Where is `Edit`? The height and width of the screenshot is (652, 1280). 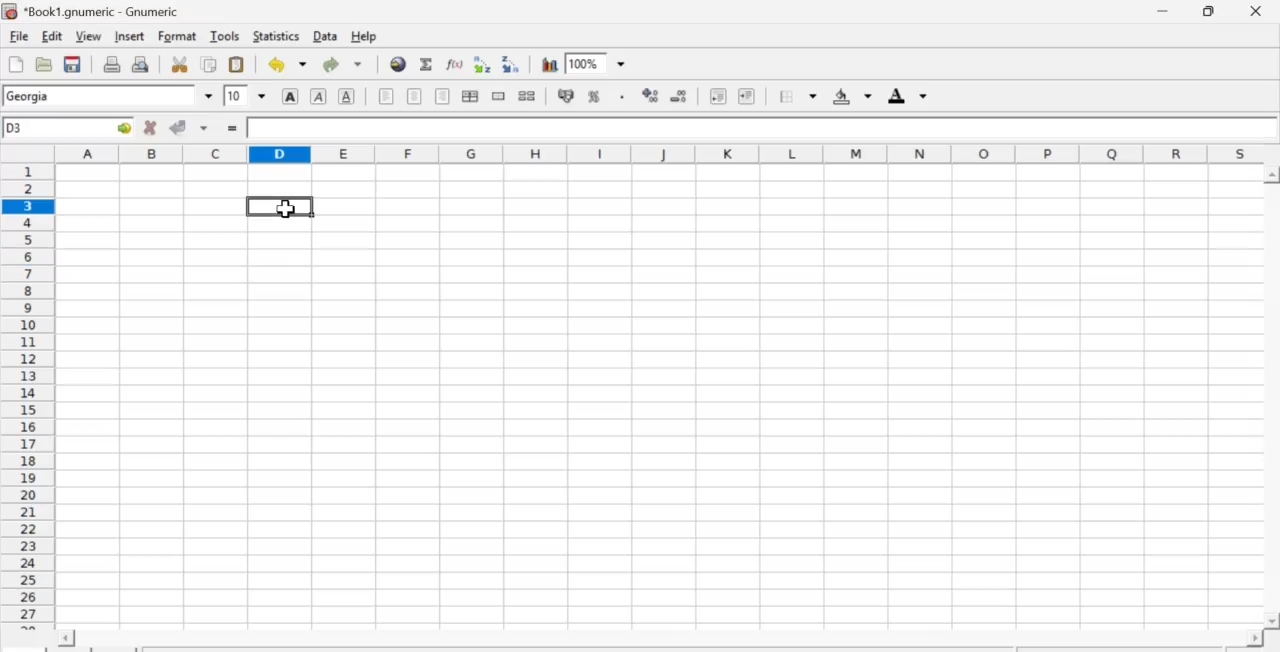
Edit is located at coordinates (53, 35).